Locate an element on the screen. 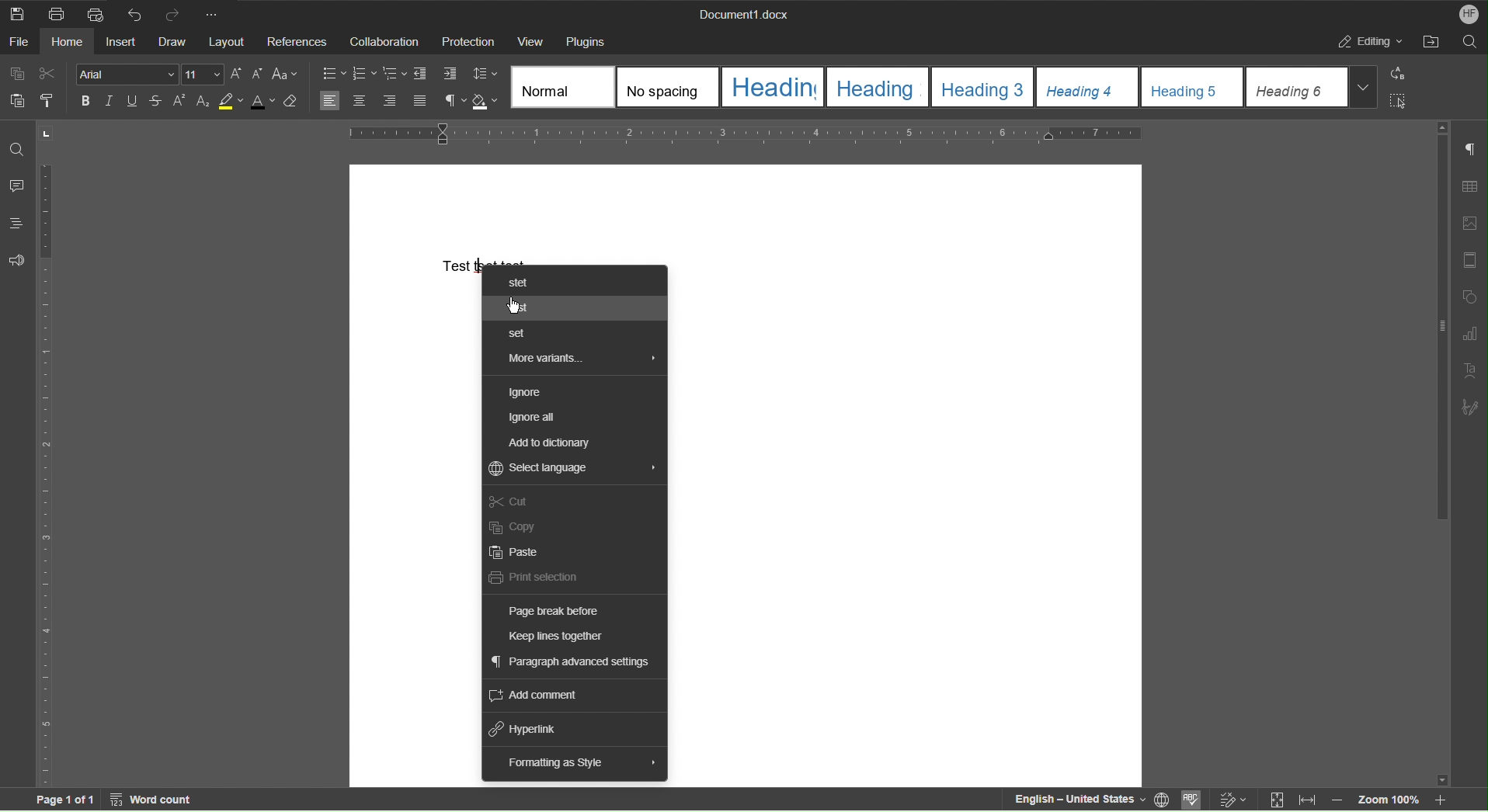 This screenshot has width=1488, height=812. Page break before is located at coordinates (553, 612).